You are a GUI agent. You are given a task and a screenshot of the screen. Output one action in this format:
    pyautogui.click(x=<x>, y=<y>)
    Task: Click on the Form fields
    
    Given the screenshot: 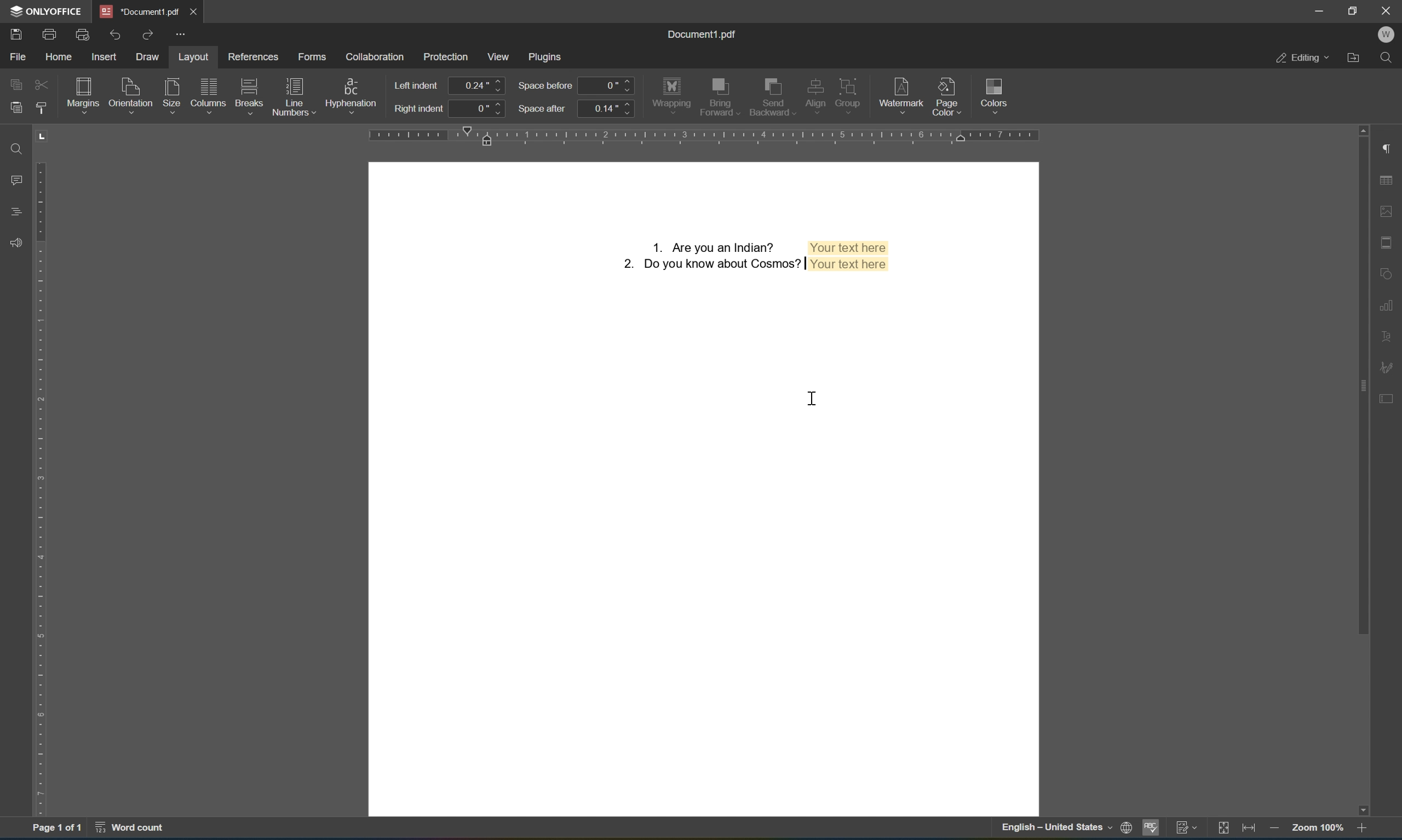 What is the action you would take?
    pyautogui.click(x=751, y=256)
    